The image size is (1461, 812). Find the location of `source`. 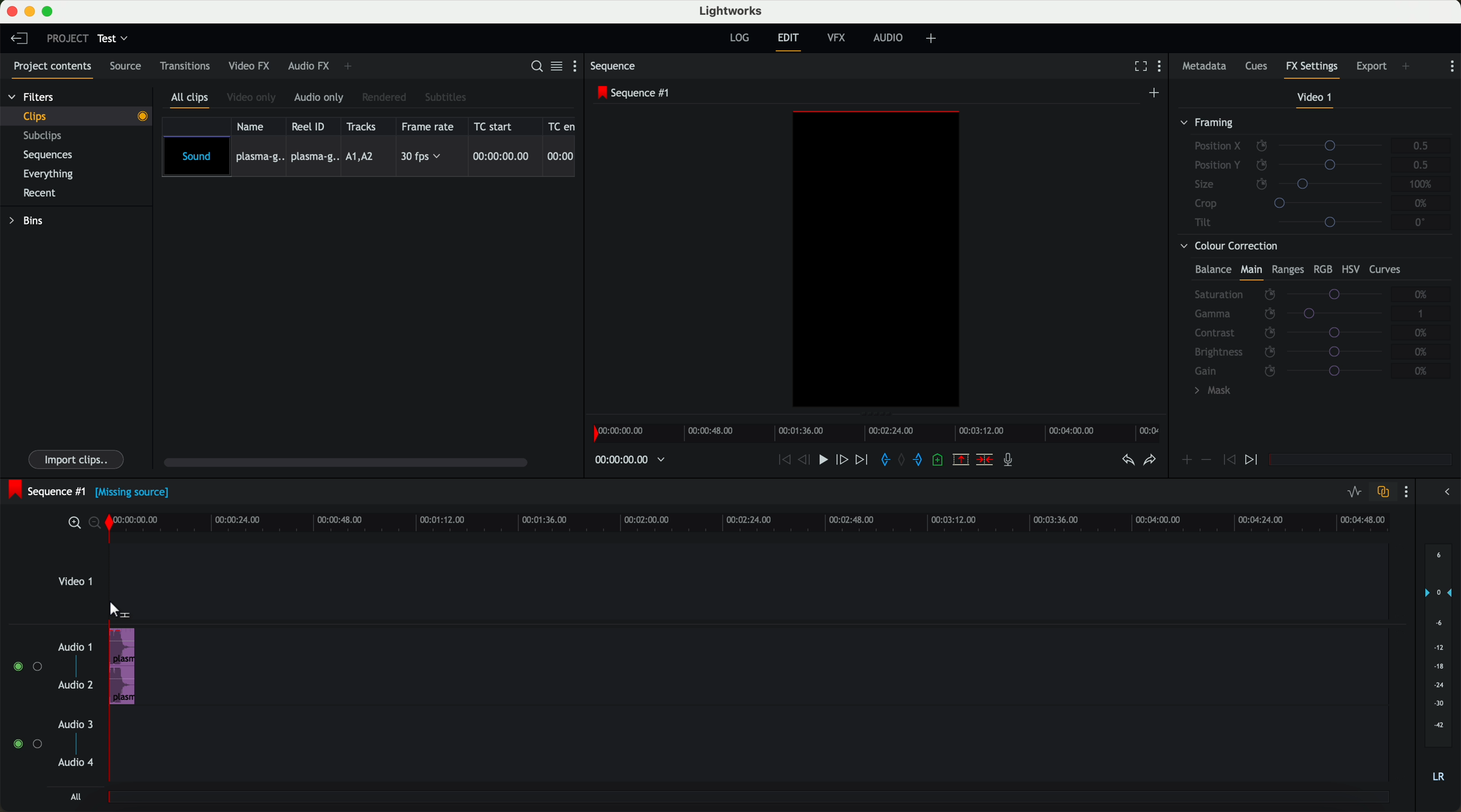

source is located at coordinates (129, 67).